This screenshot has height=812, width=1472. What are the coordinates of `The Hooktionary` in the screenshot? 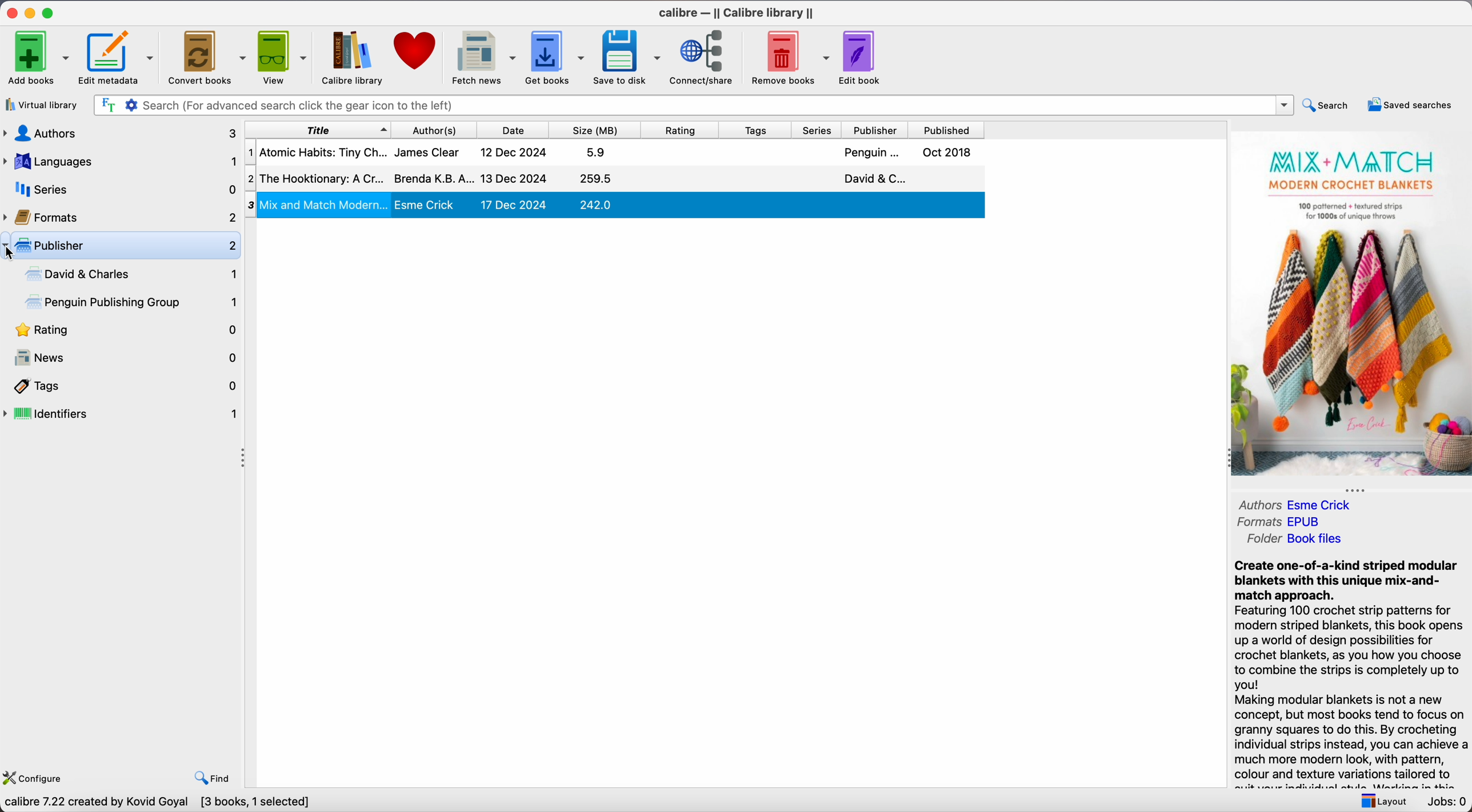 It's located at (615, 178).